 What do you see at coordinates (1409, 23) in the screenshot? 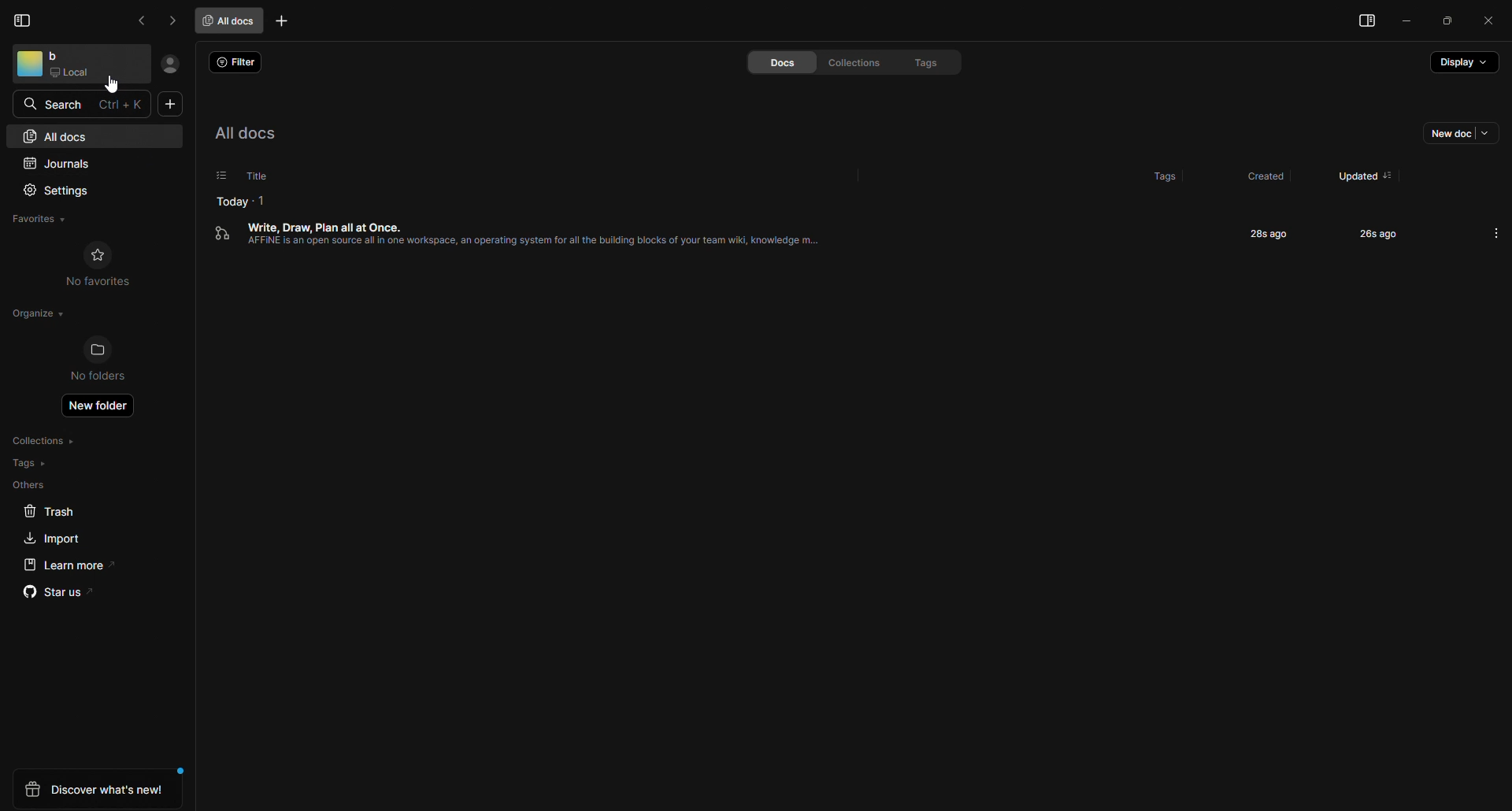
I see `minimize` at bounding box center [1409, 23].